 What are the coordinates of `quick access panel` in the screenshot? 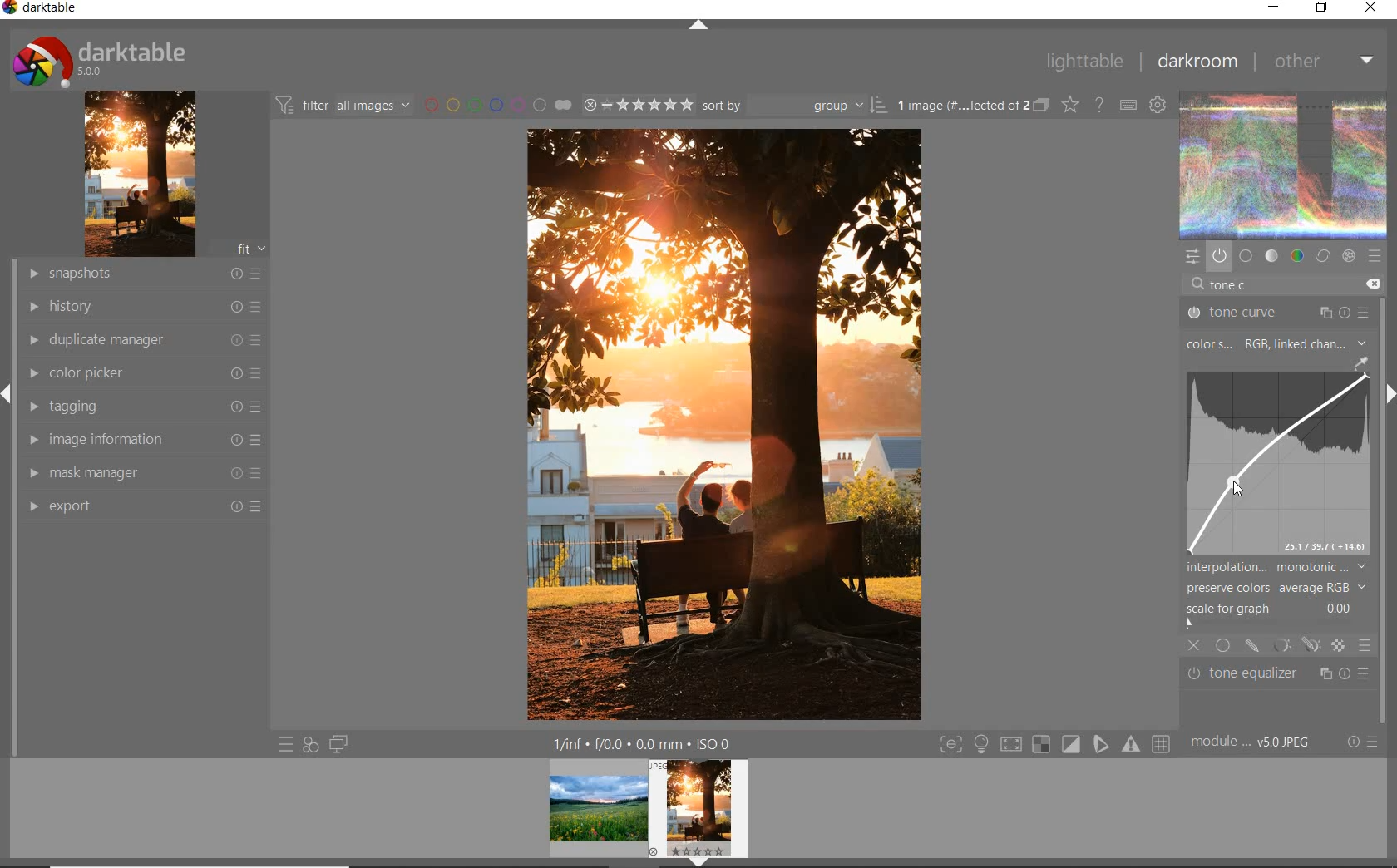 It's located at (1193, 255).